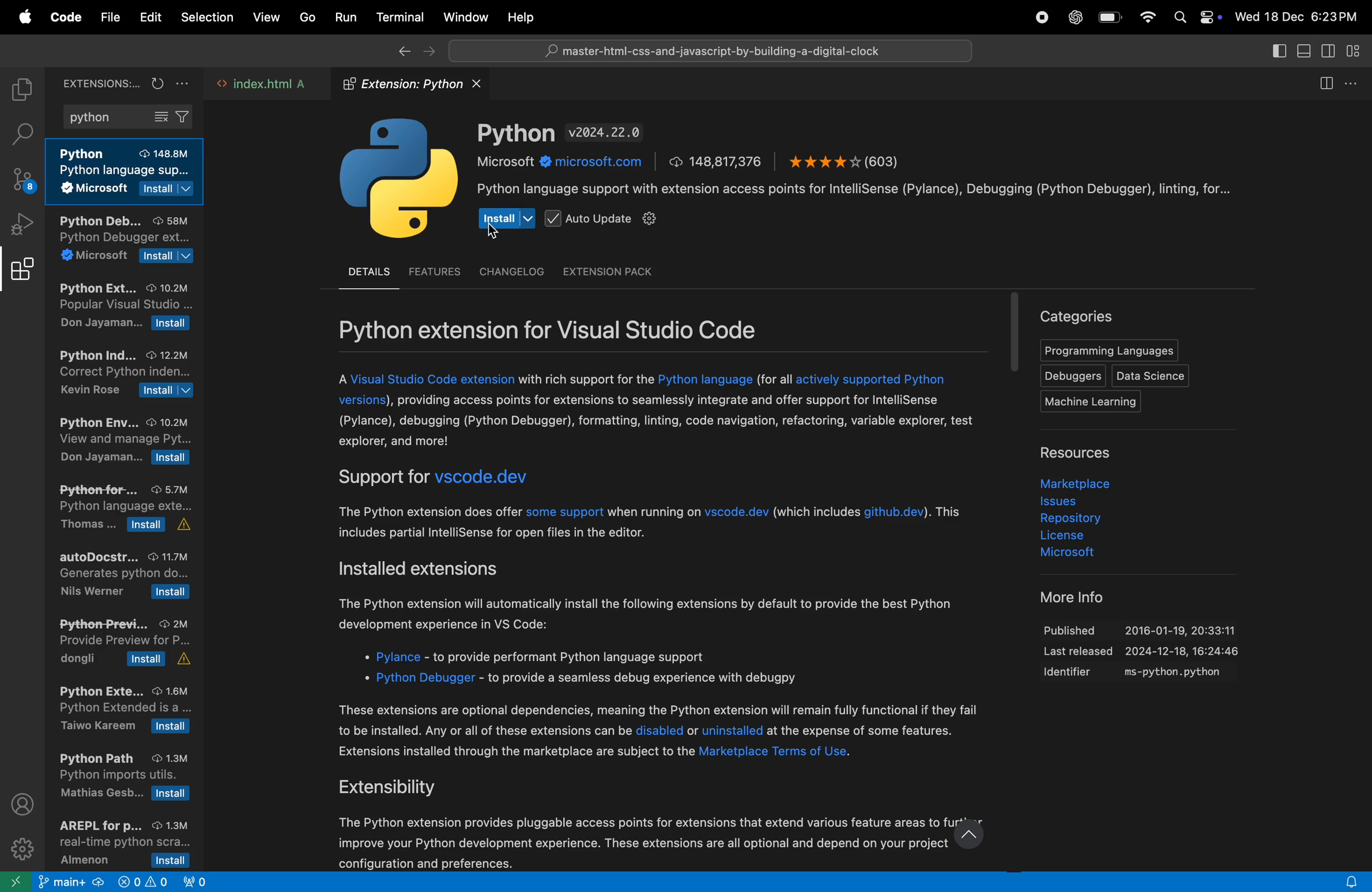 Image resolution: width=1372 pixels, height=892 pixels. Describe the element at coordinates (1301, 16) in the screenshot. I see `date and time` at that location.